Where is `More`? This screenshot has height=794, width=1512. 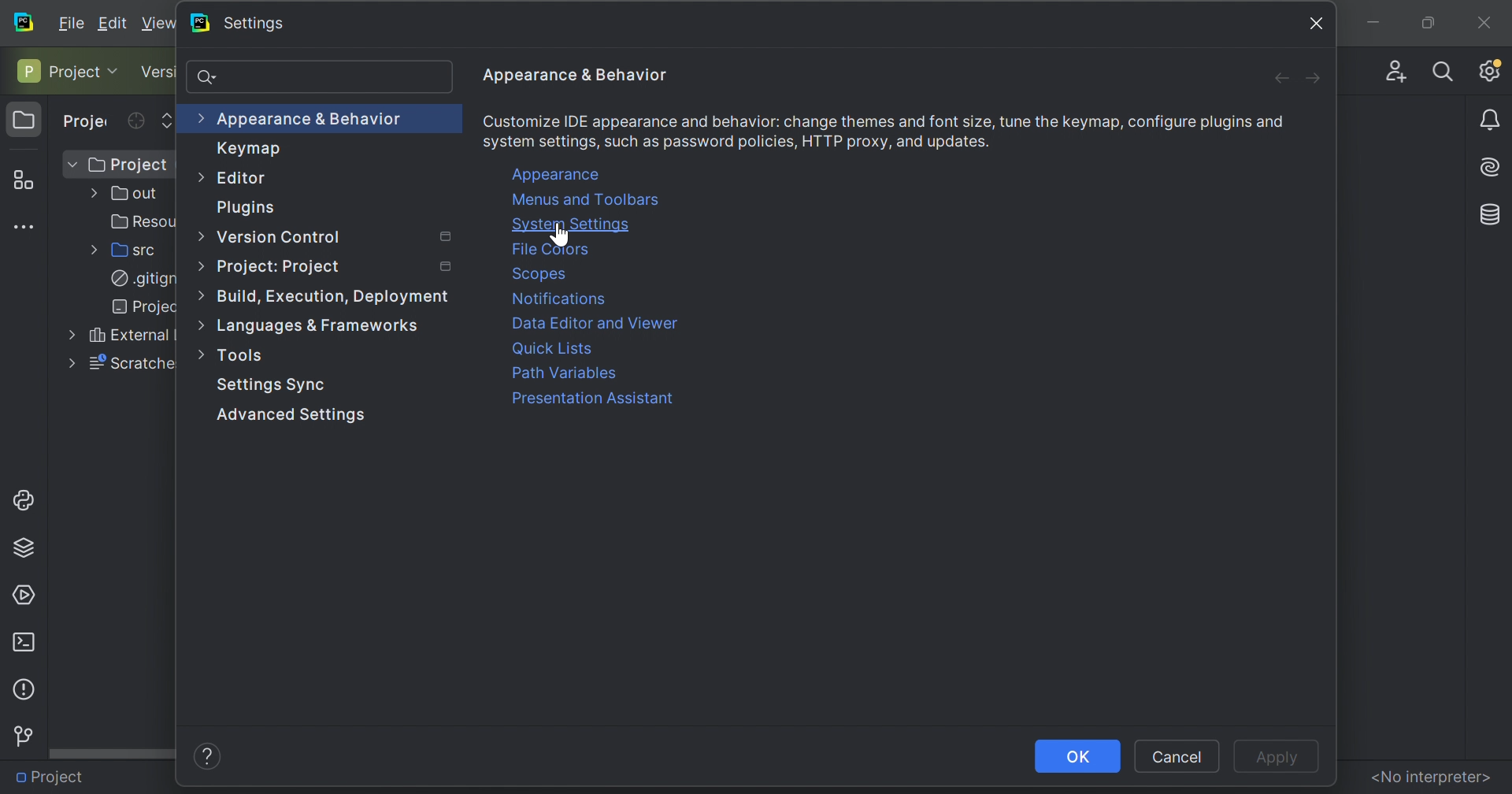
More is located at coordinates (67, 336).